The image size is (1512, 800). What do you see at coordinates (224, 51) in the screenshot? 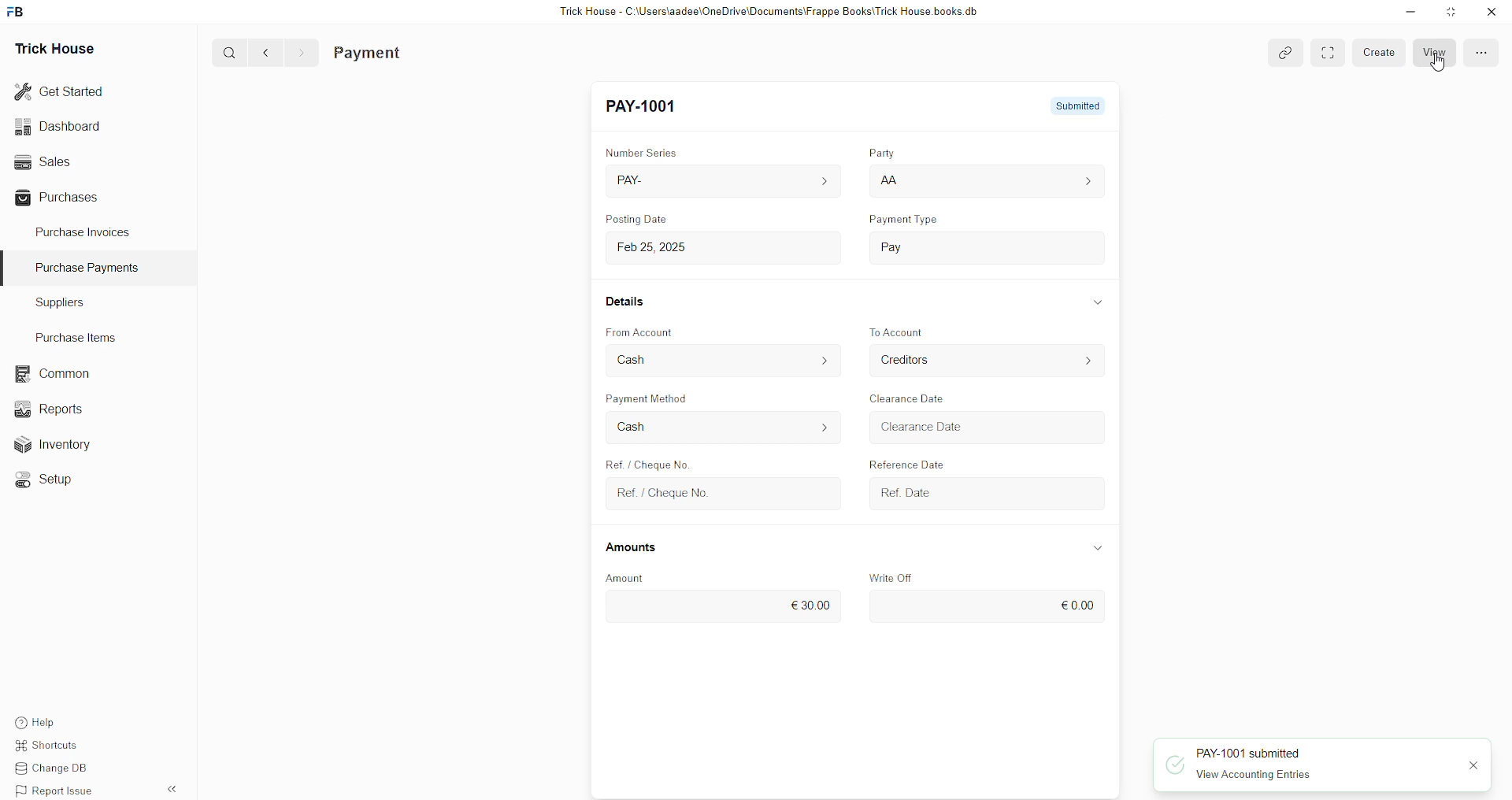
I see `Q` at bounding box center [224, 51].